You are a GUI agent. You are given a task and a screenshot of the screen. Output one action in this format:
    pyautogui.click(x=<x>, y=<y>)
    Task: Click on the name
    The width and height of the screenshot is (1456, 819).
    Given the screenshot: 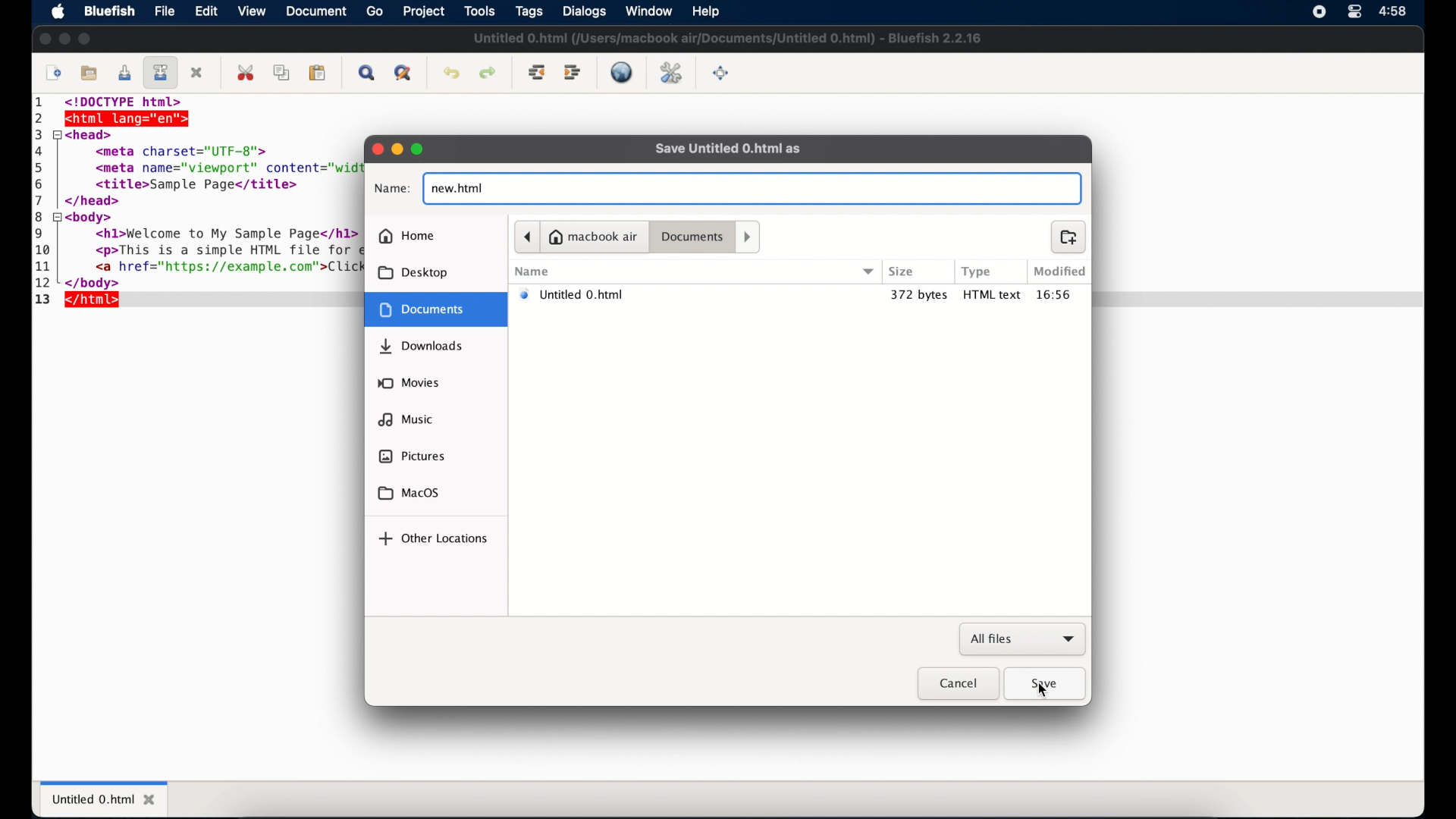 What is the action you would take?
    pyautogui.click(x=532, y=271)
    